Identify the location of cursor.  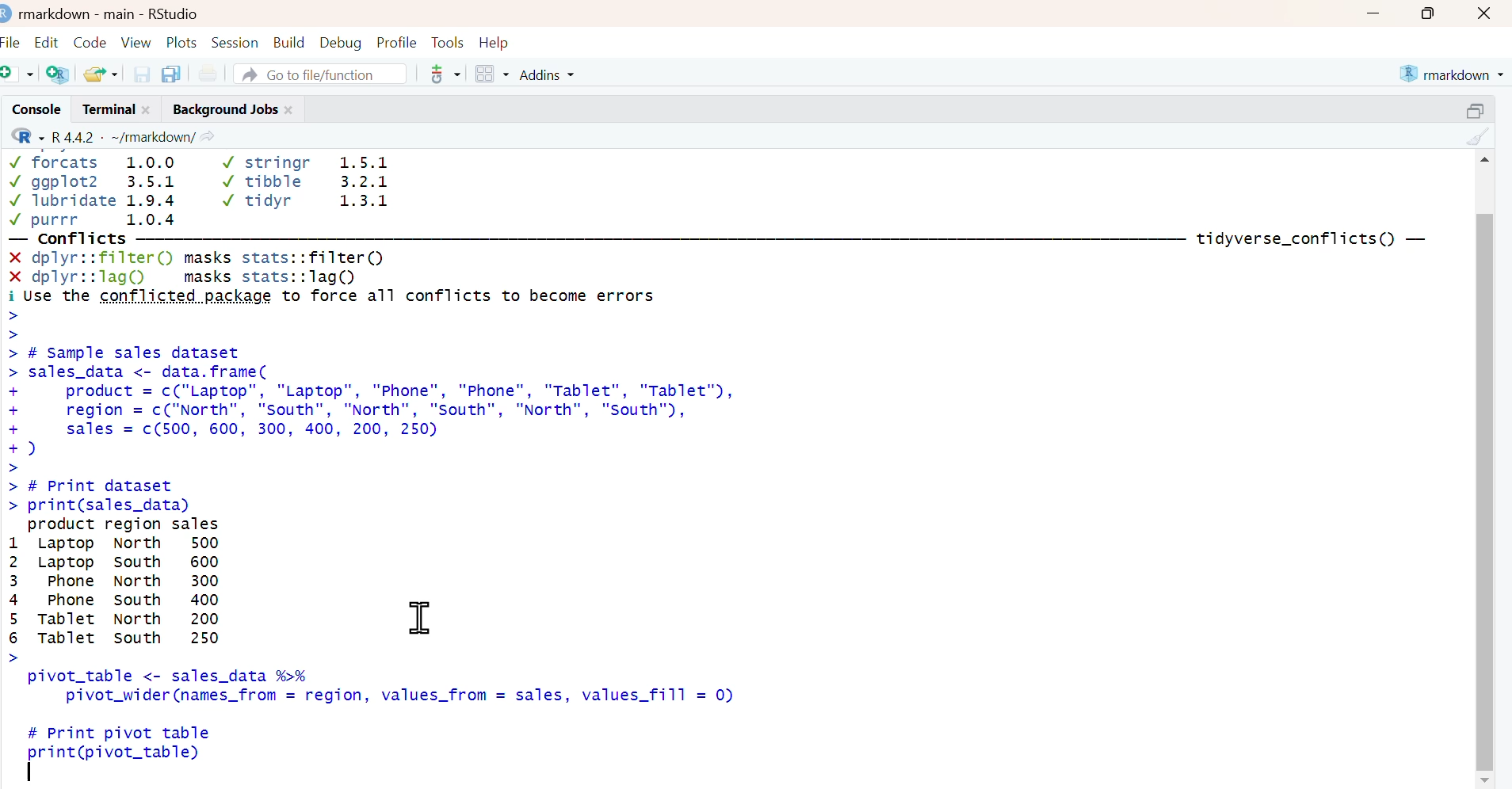
(421, 618).